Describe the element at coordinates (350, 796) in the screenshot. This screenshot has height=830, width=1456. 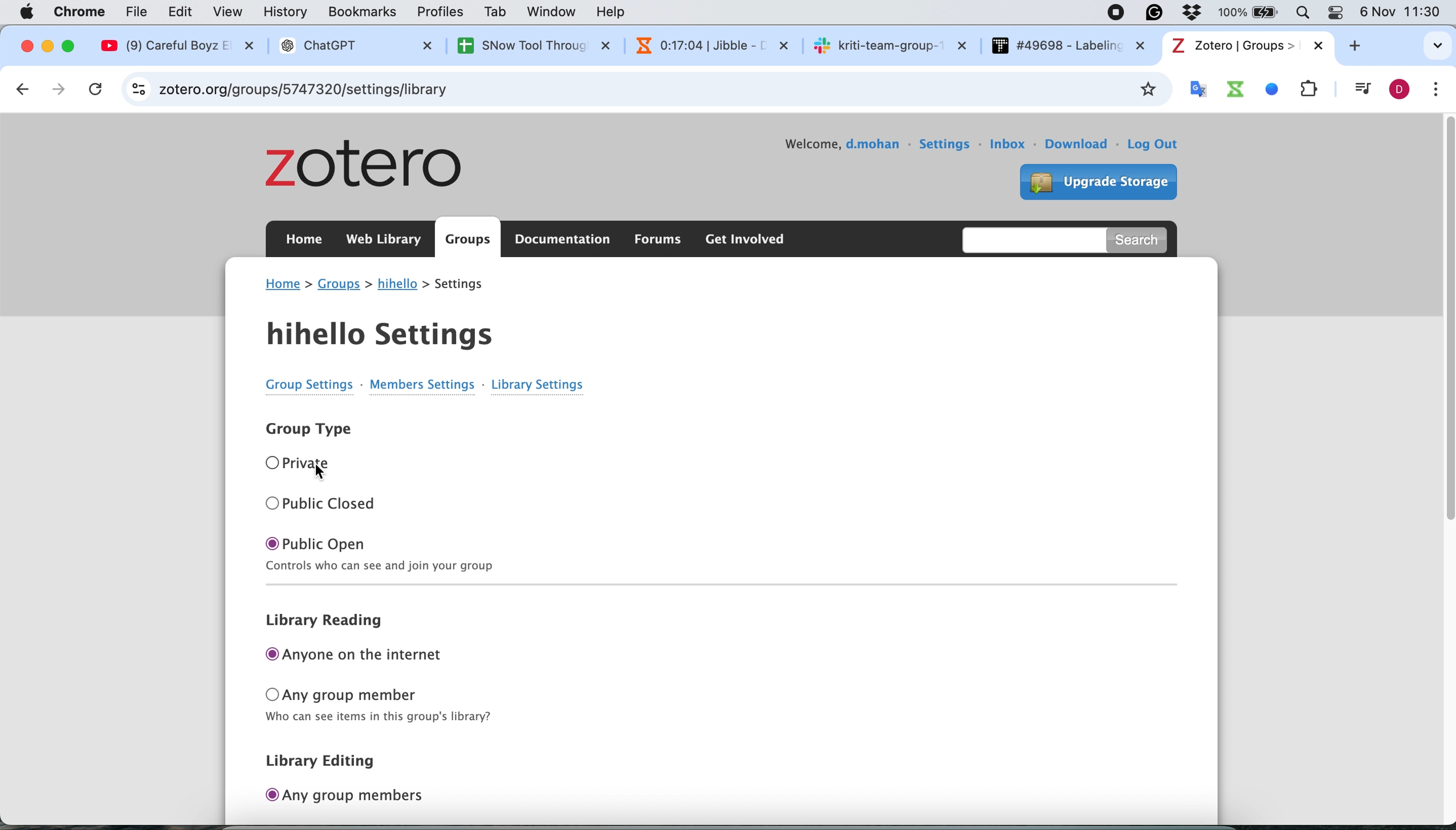
I see `any group members` at that location.